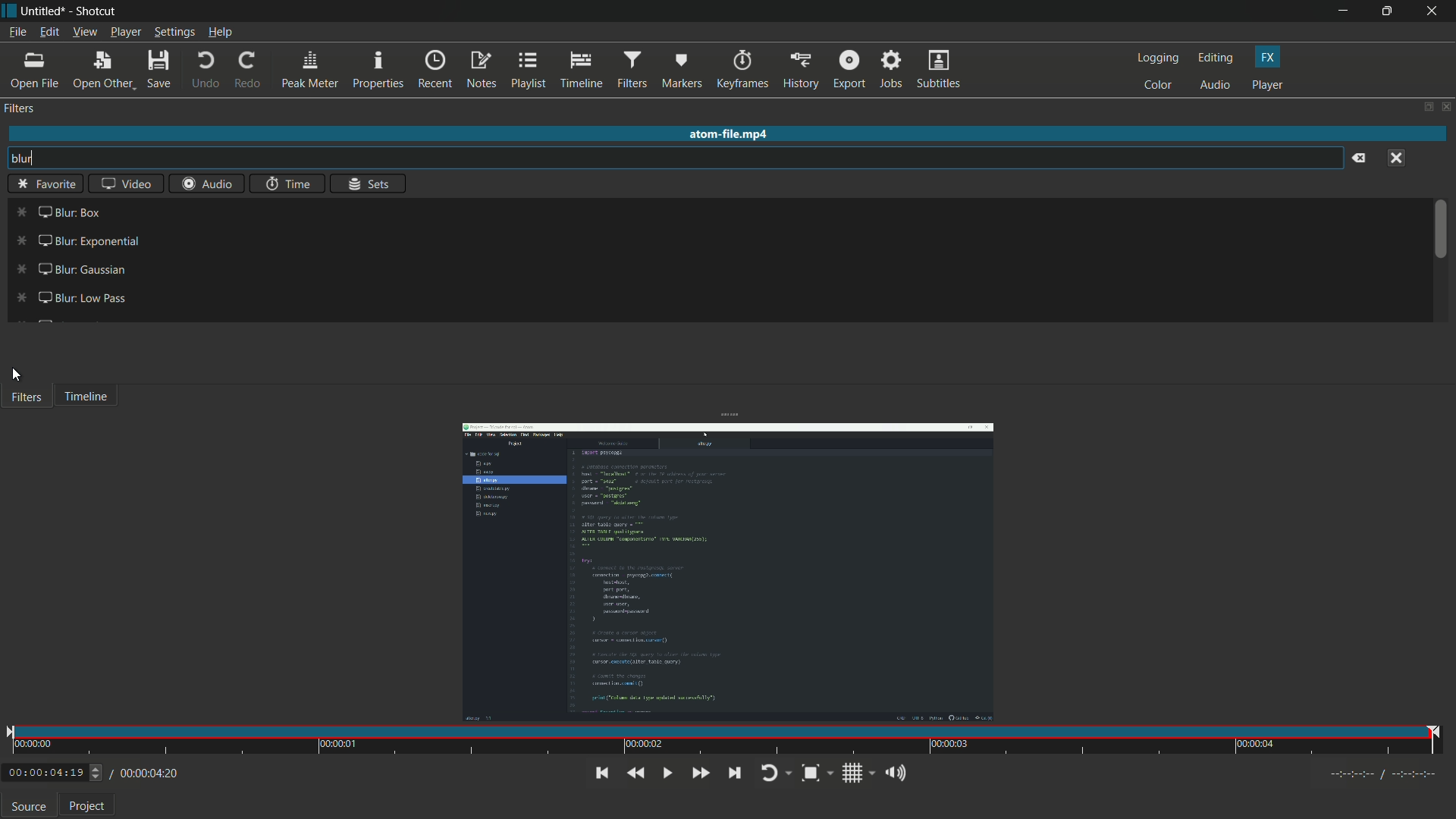 The image size is (1456, 819). Describe the element at coordinates (124, 183) in the screenshot. I see `video` at that location.